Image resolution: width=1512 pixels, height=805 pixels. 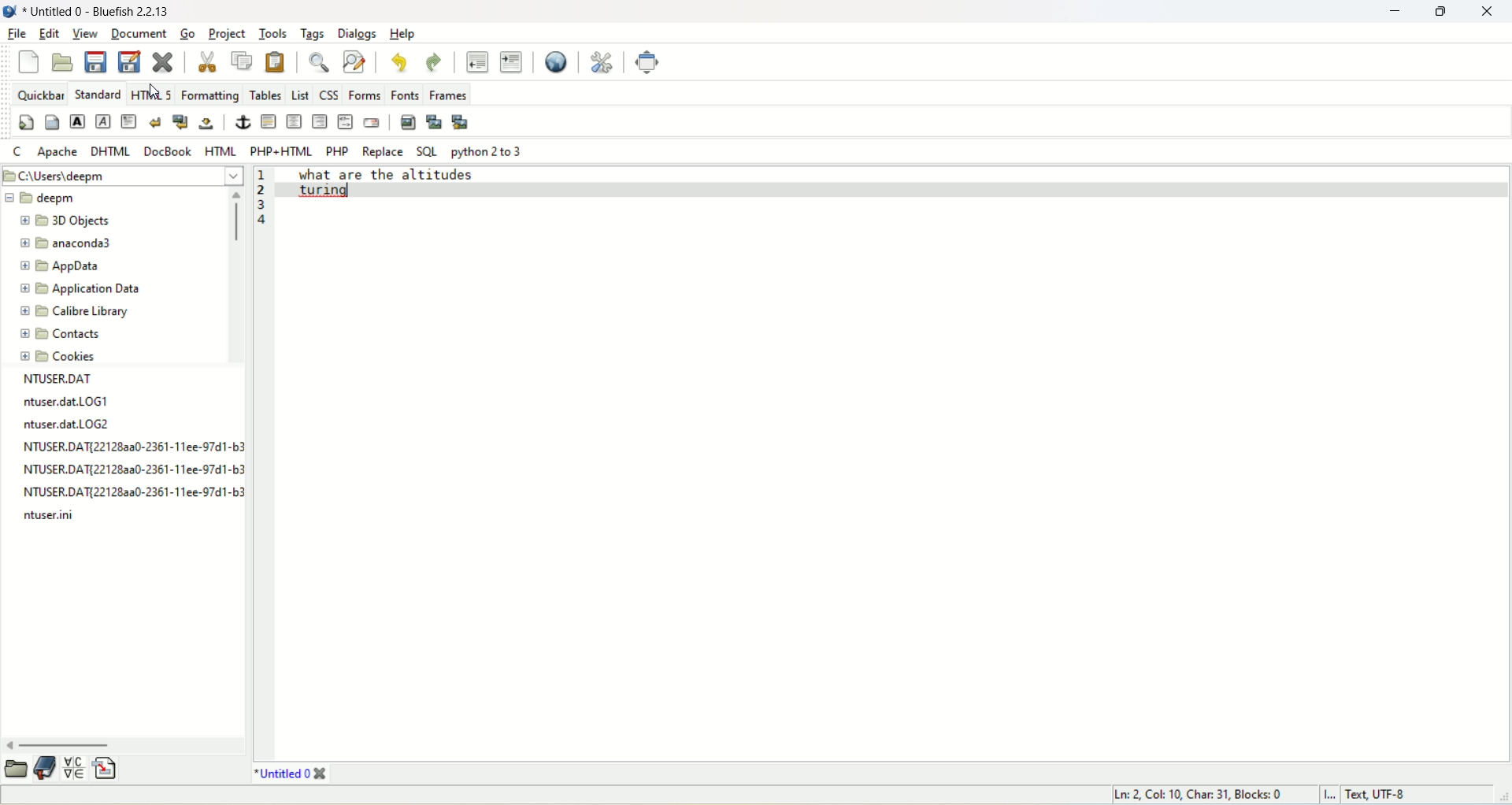 What do you see at coordinates (435, 125) in the screenshot?
I see `insert thumbnail` at bounding box center [435, 125].